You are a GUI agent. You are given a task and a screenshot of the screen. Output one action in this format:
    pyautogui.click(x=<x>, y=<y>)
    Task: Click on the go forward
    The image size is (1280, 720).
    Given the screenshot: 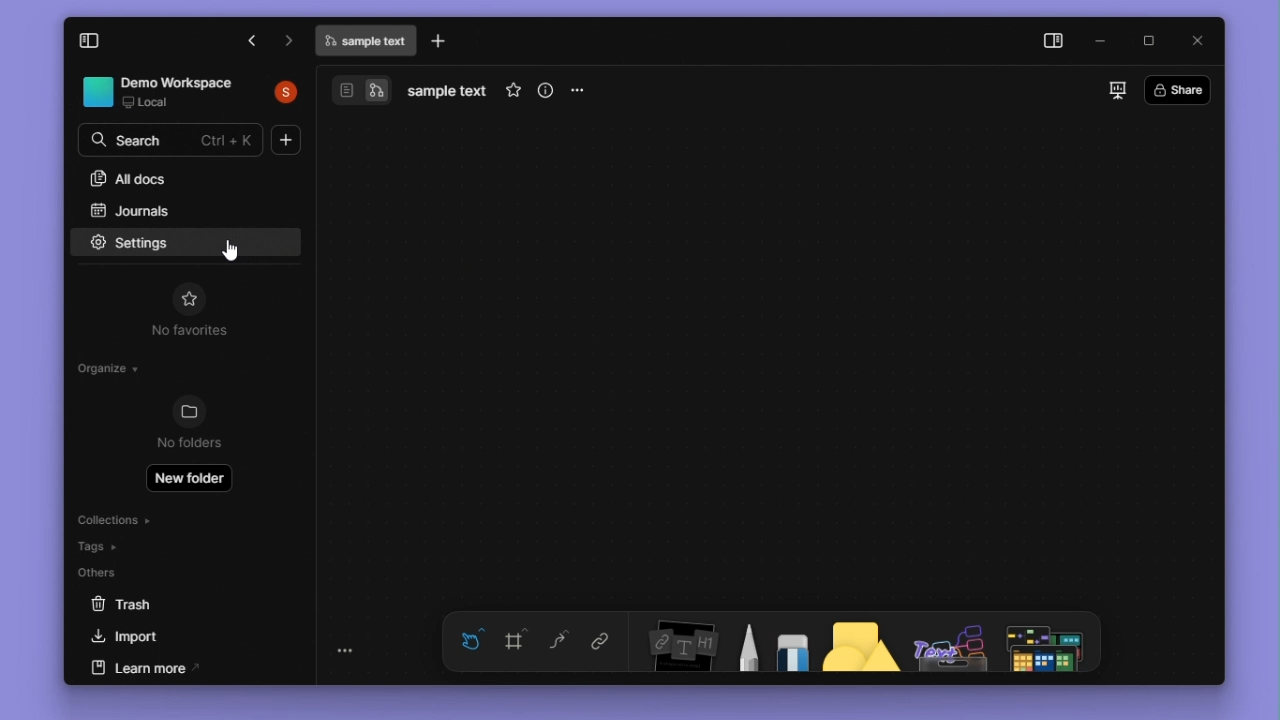 What is the action you would take?
    pyautogui.click(x=254, y=42)
    